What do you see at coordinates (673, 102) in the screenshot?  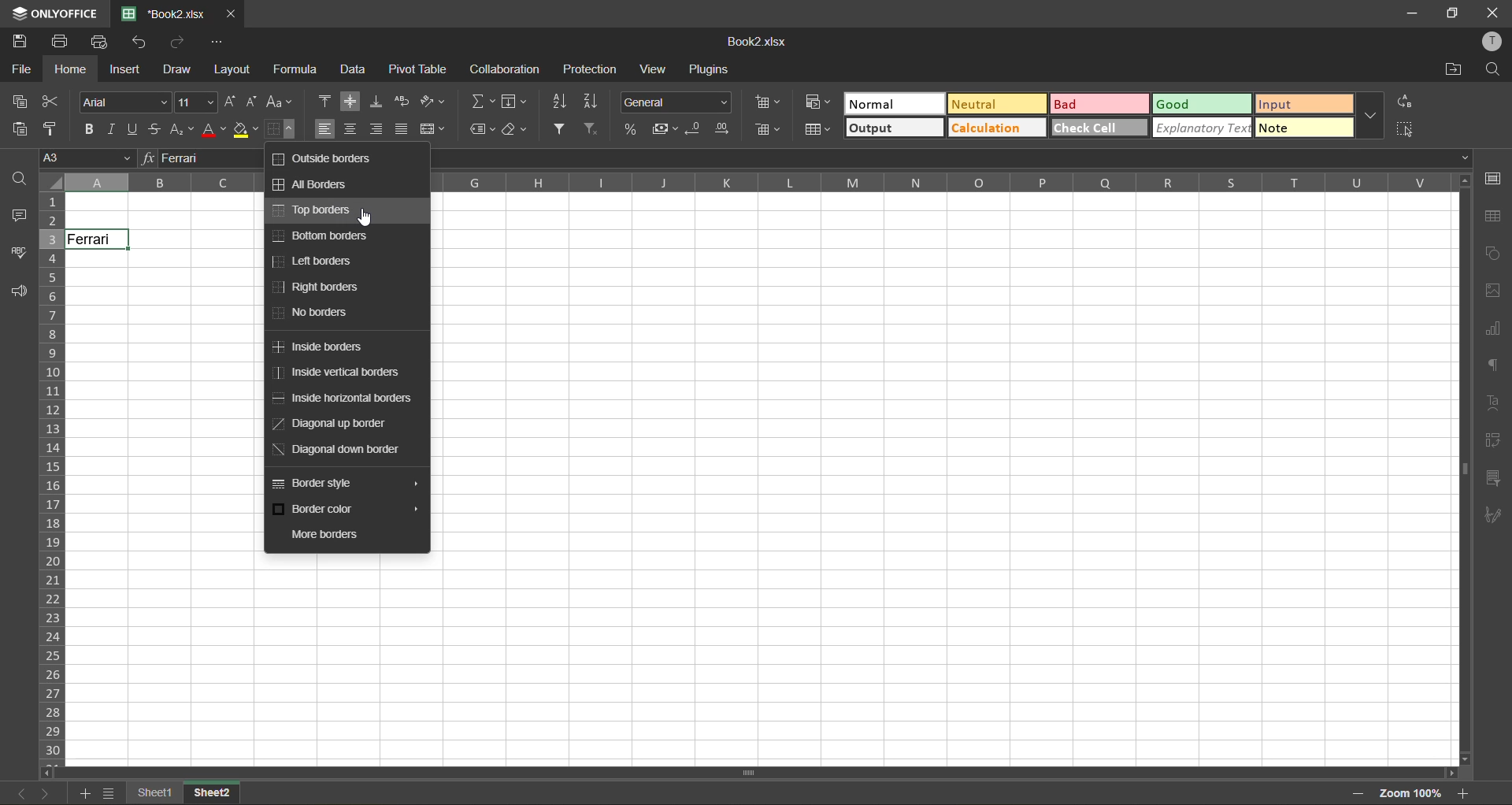 I see `number format` at bounding box center [673, 102].